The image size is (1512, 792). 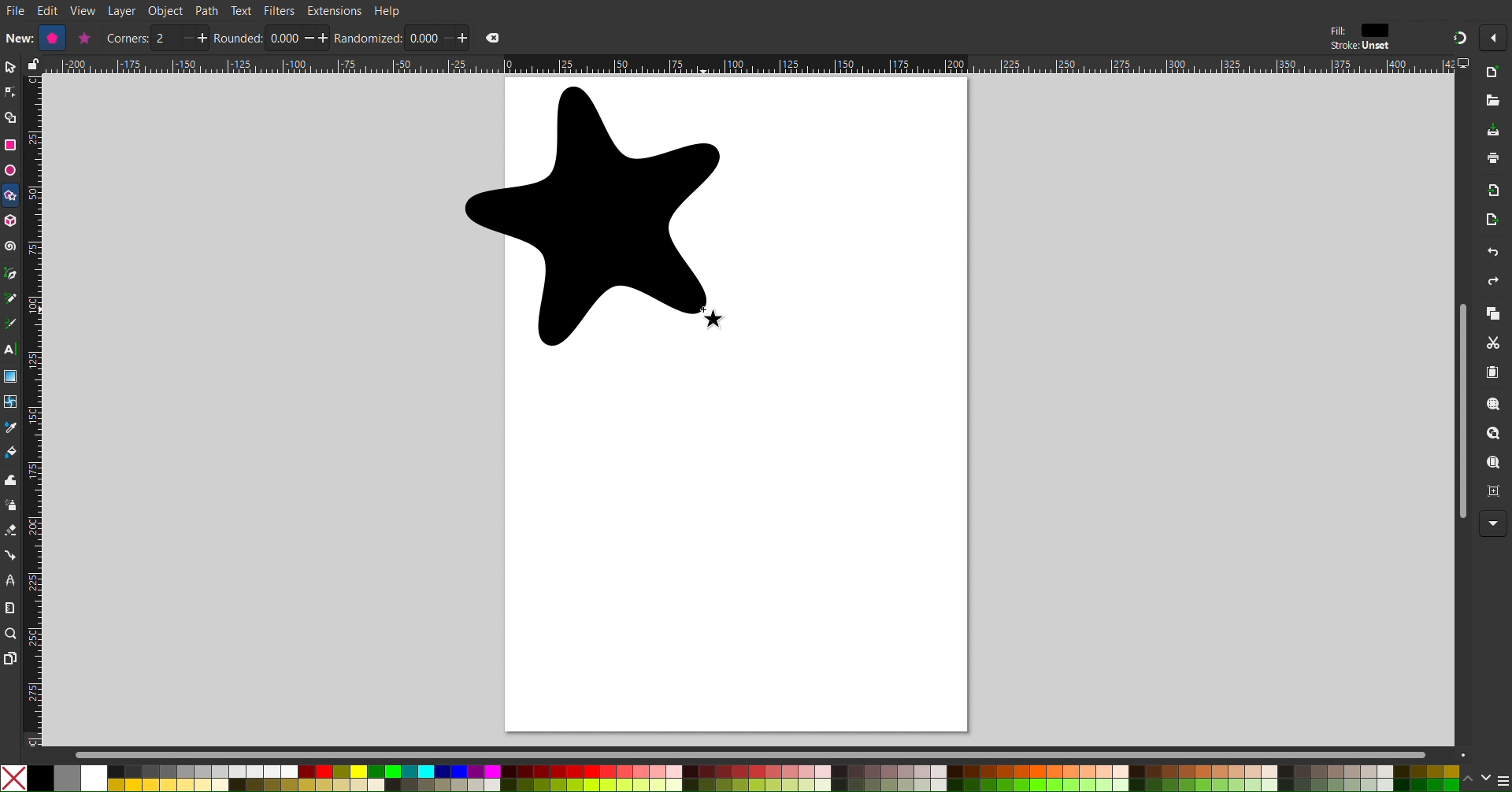 I want to click on Ellipse, so click(x=9, y=170).